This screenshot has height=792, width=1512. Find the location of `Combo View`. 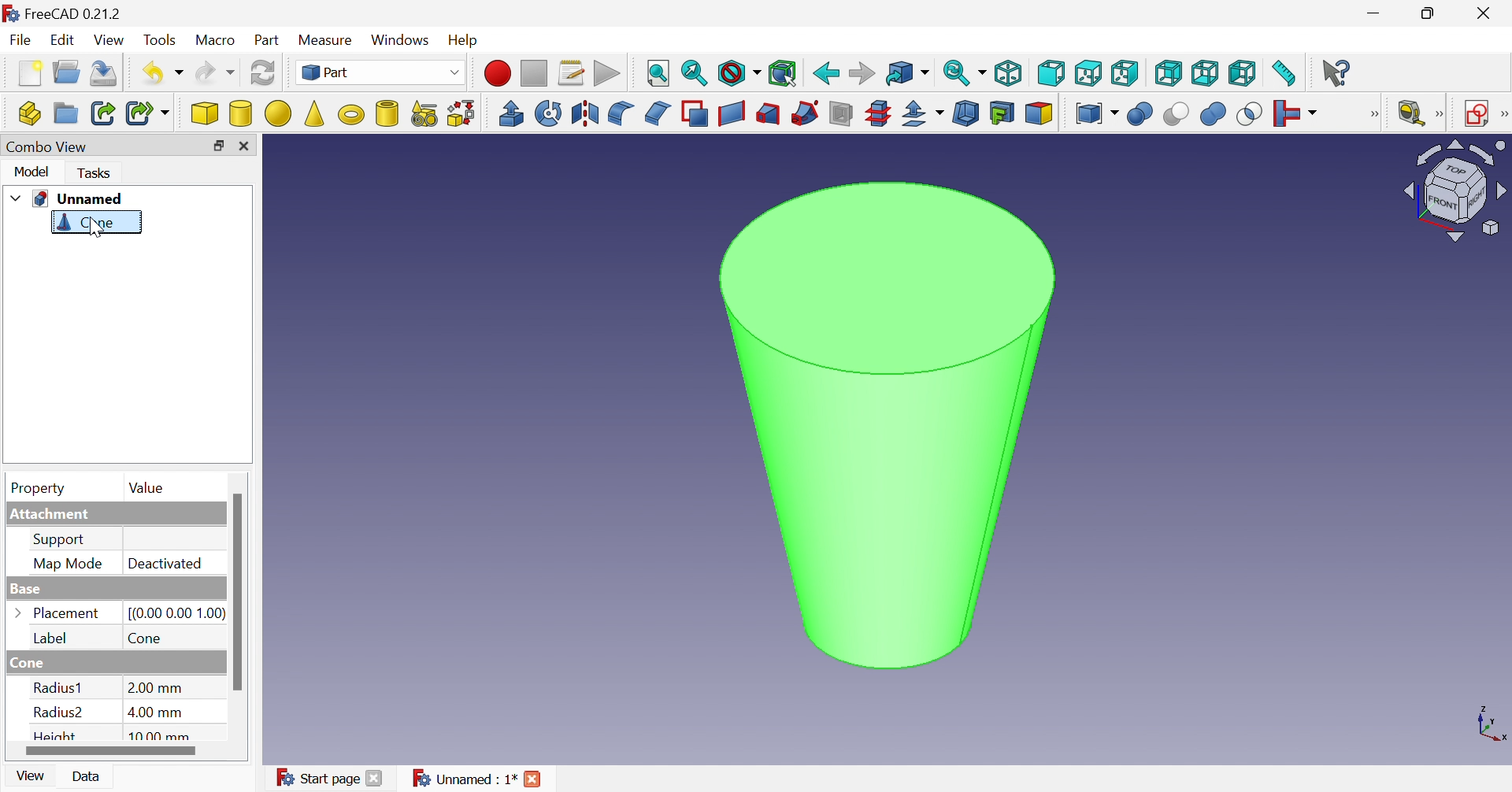

Combo View is located at coordinates (48, 147).